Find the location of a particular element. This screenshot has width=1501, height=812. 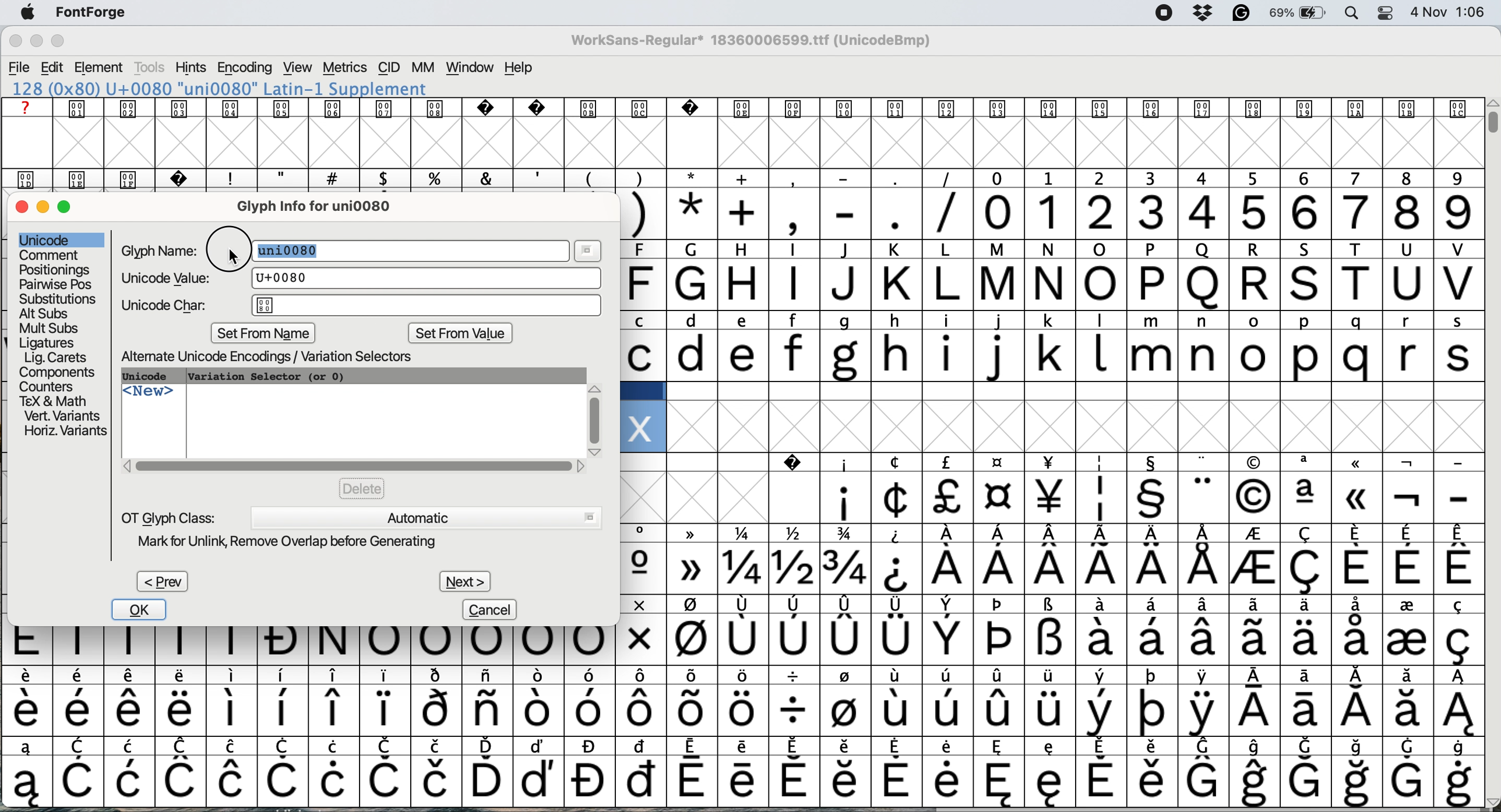

glyph name is located at coordinates (163, 250).